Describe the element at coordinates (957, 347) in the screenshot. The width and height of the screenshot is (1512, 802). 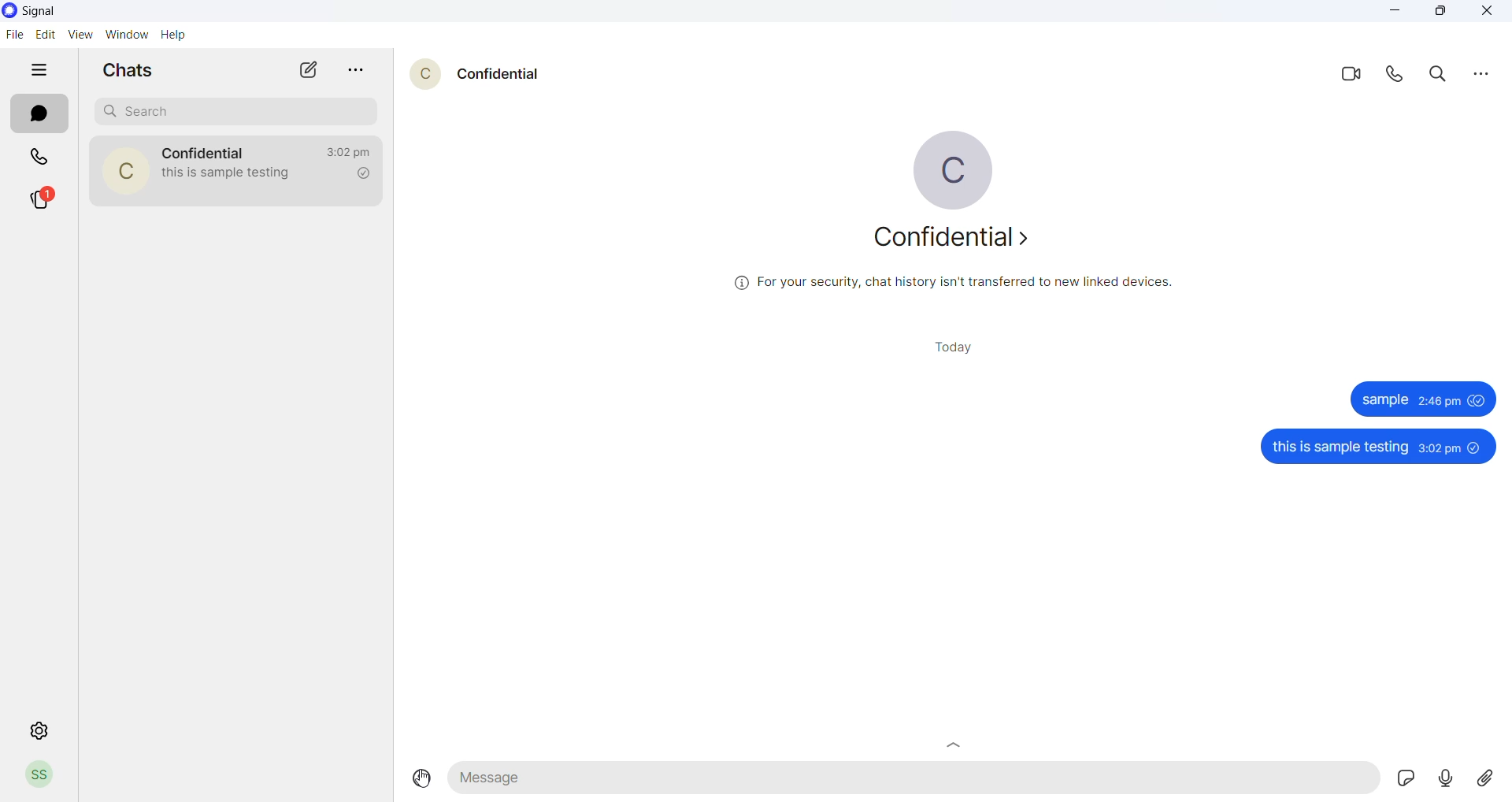
I see `today title` at that location.